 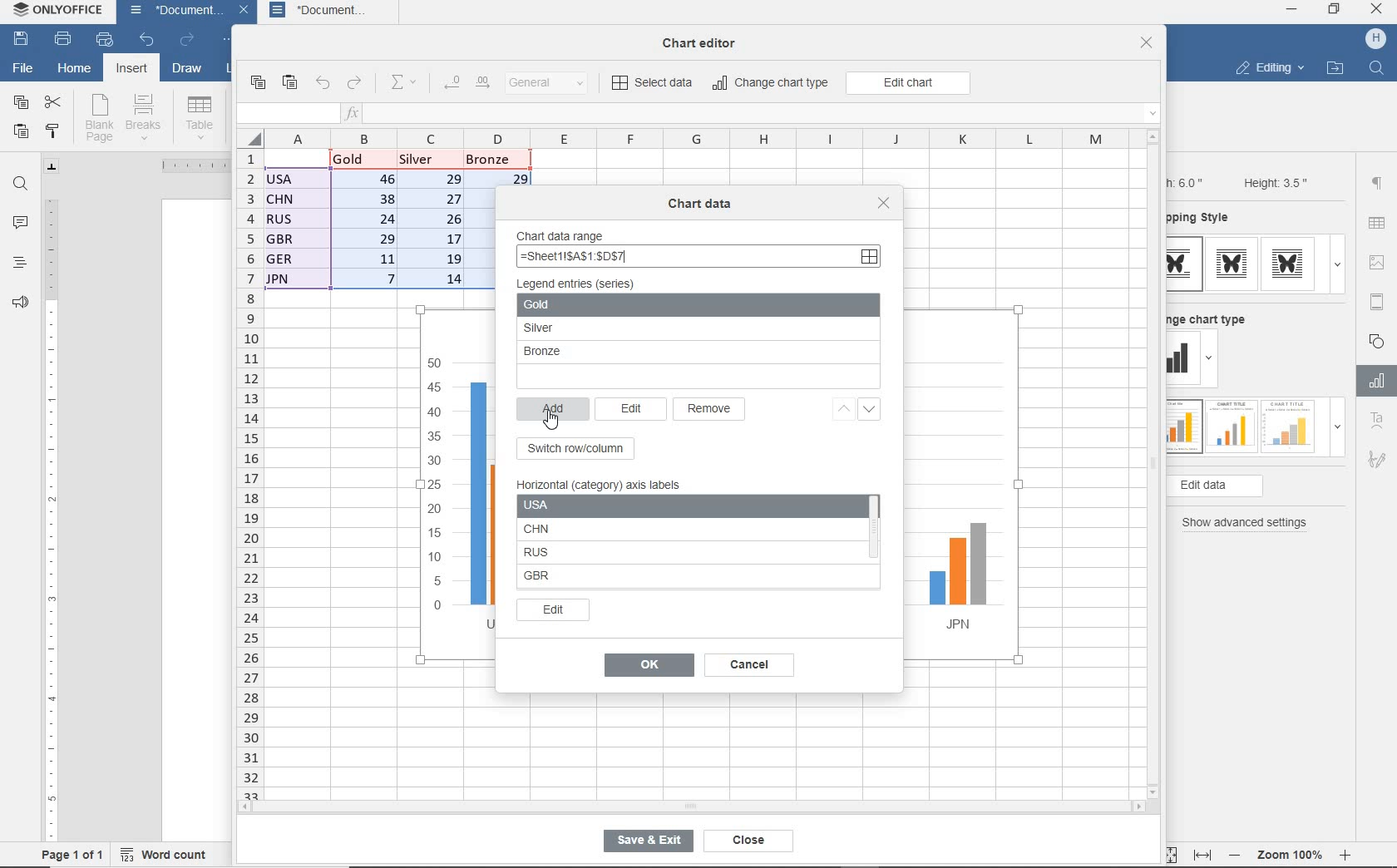 What do you see at coordinates (595, 304) in the screenshot?
I see `gold` at bounding box center [595, 304].